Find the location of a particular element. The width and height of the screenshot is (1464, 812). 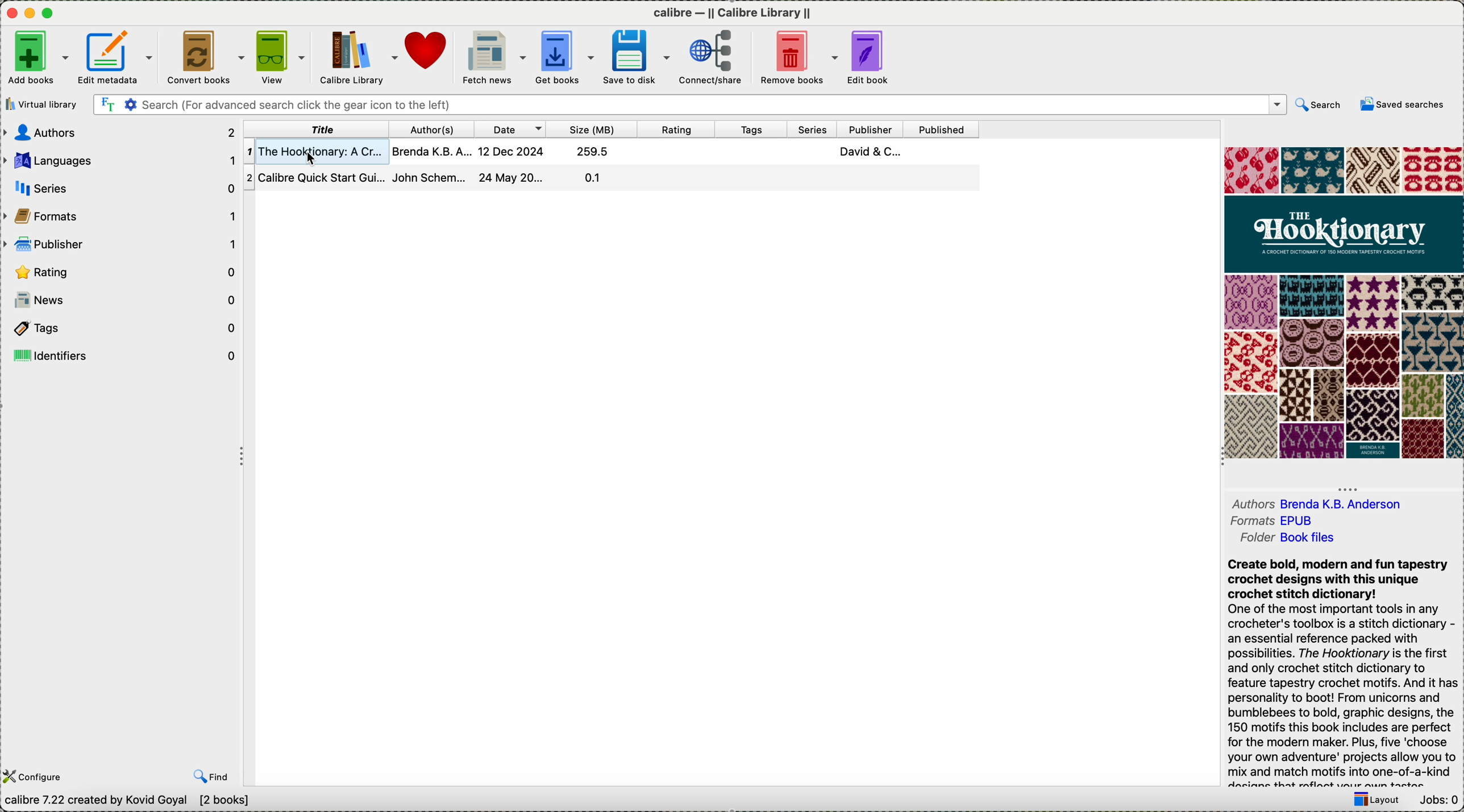

click on the hooktionary book is located at coordinates (614, 152).